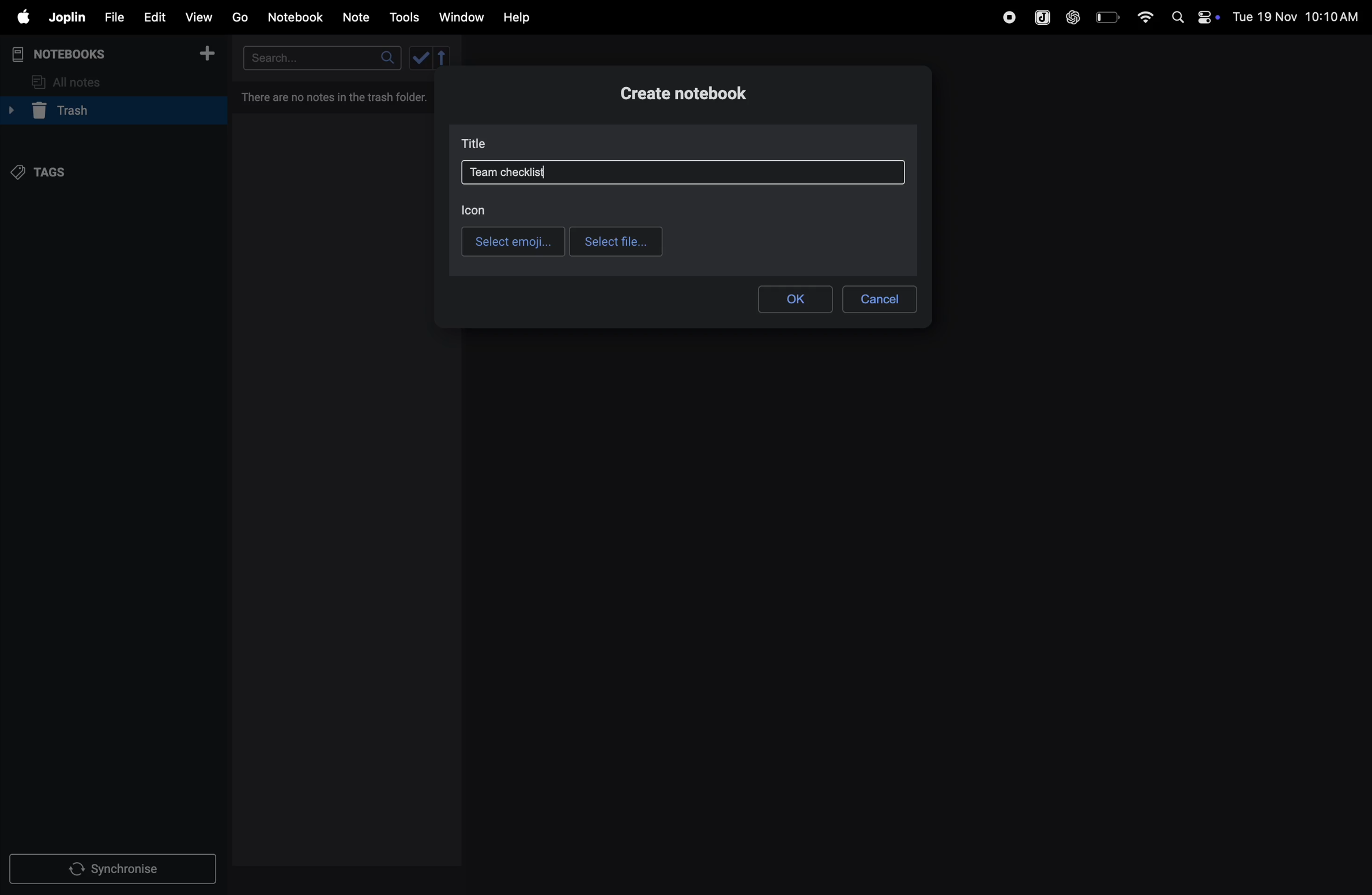  Describe the element at coordinates (361, 16) in the screenshot. I see `note` at that location.